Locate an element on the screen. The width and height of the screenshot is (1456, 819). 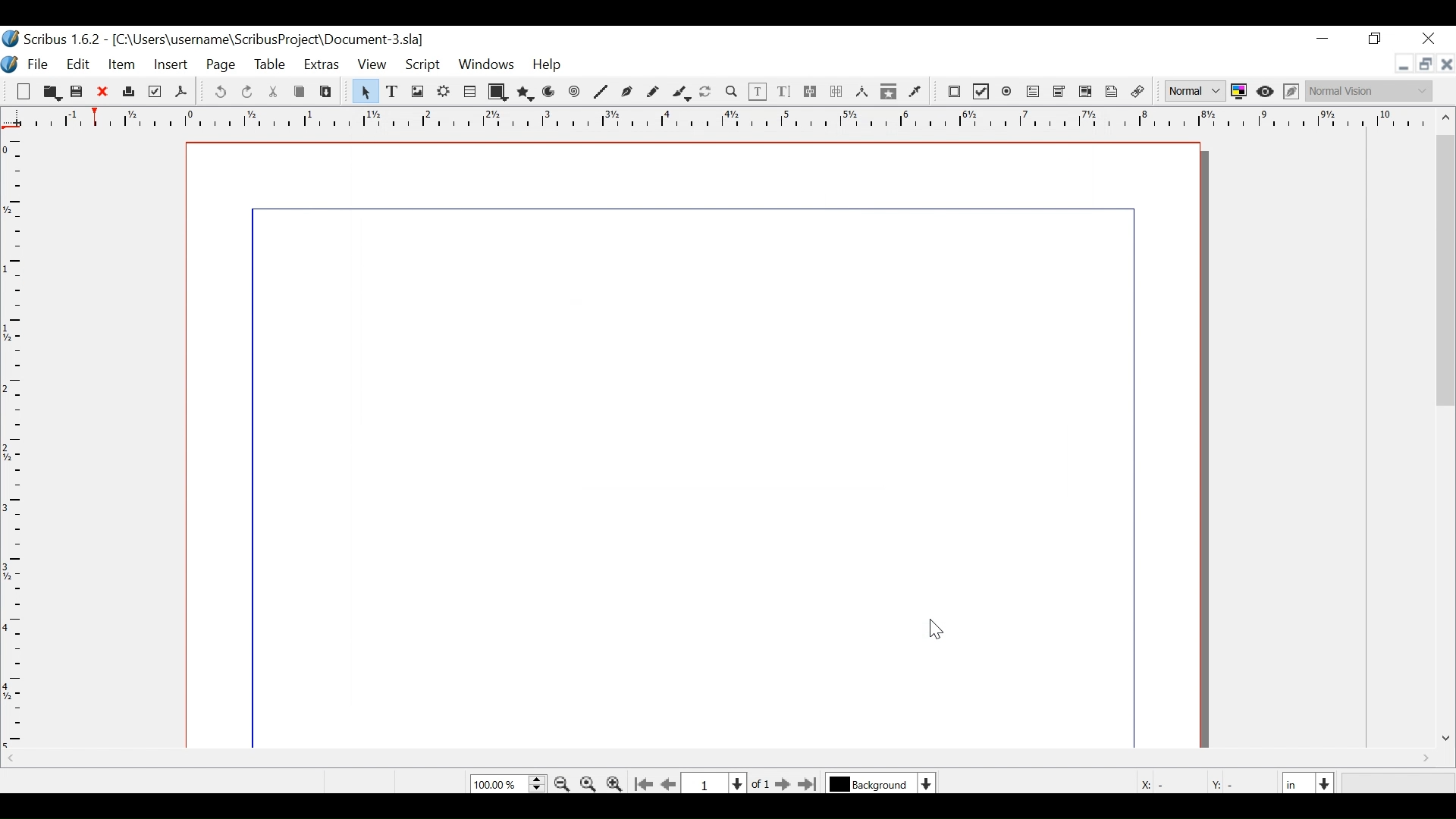
Toggle color Management System is located at coordinates (1239, 93).